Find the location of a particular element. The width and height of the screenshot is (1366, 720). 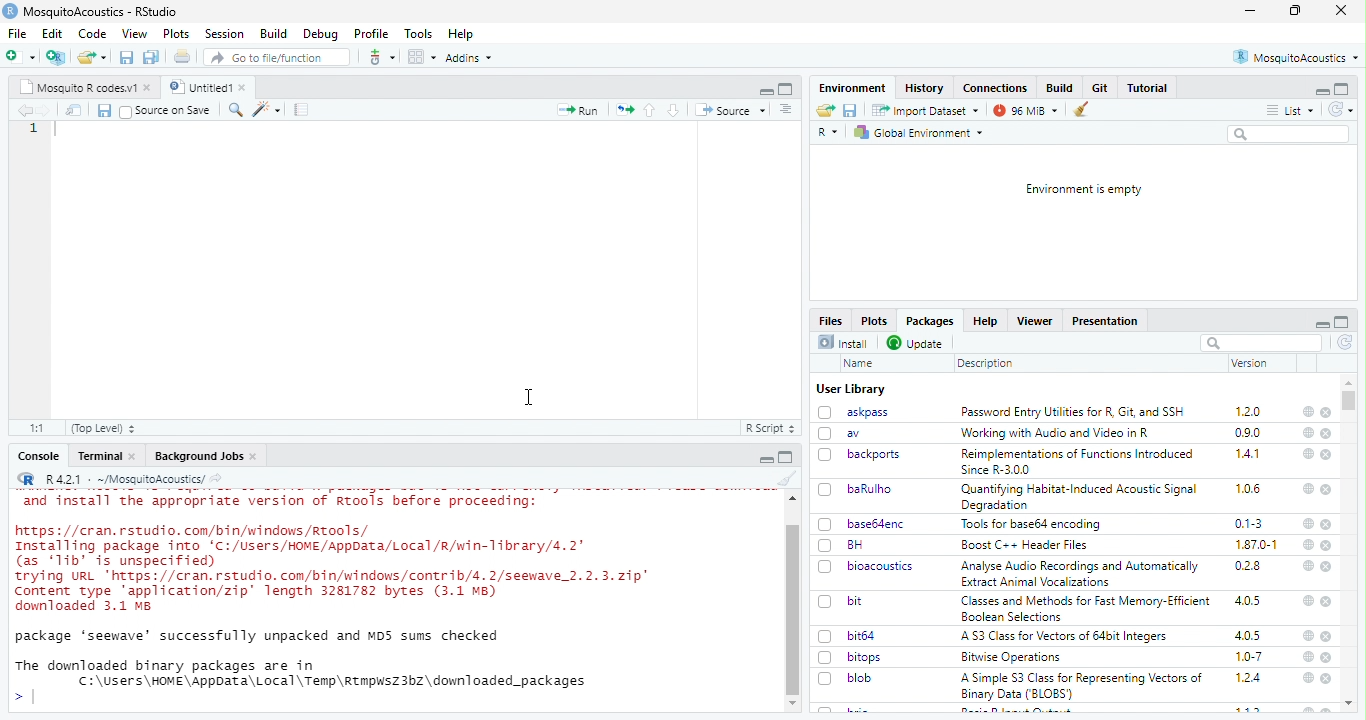

tool is located at coordinates (380, 57).